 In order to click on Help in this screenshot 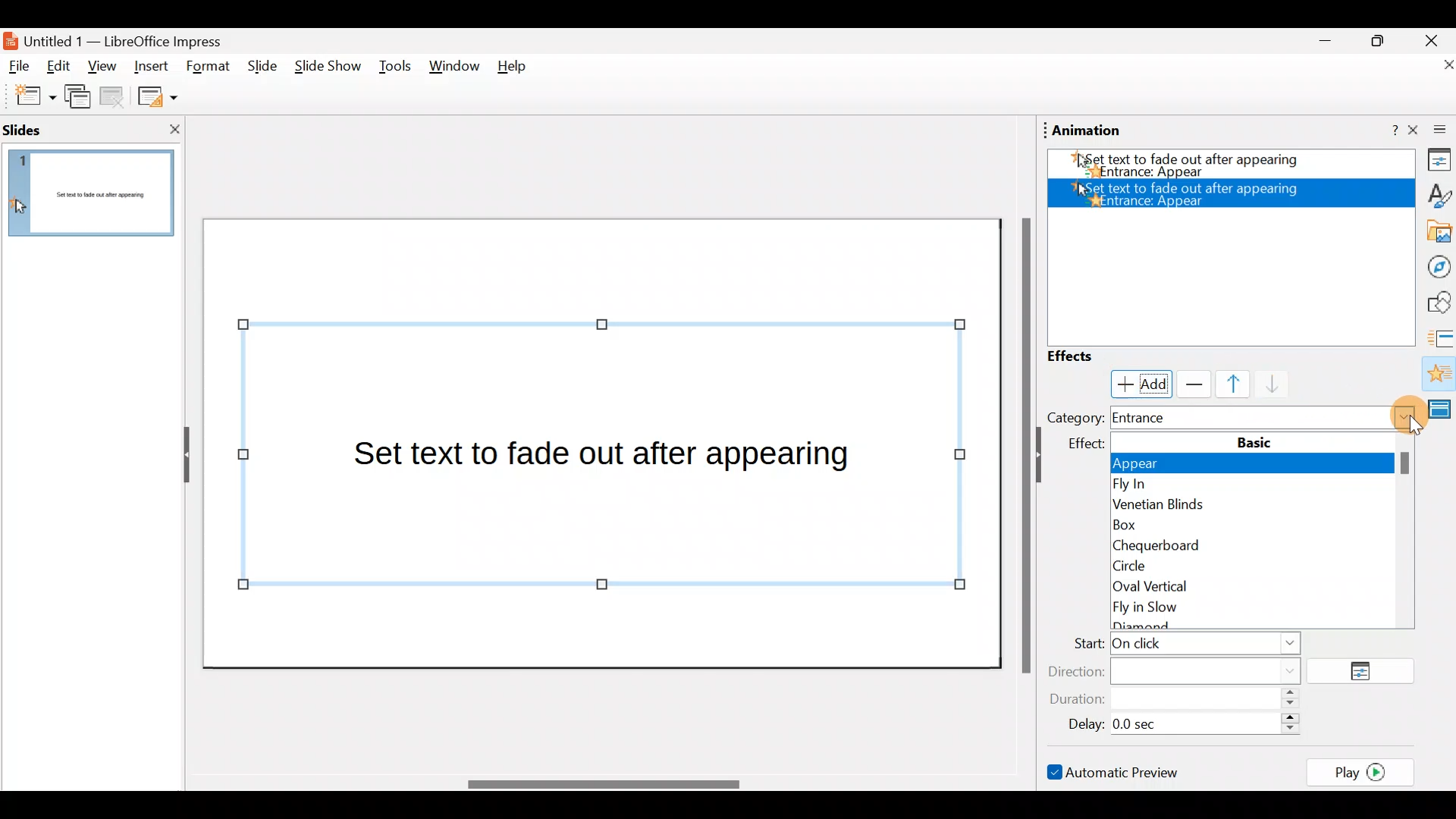, I will do `click(518, 70)`.